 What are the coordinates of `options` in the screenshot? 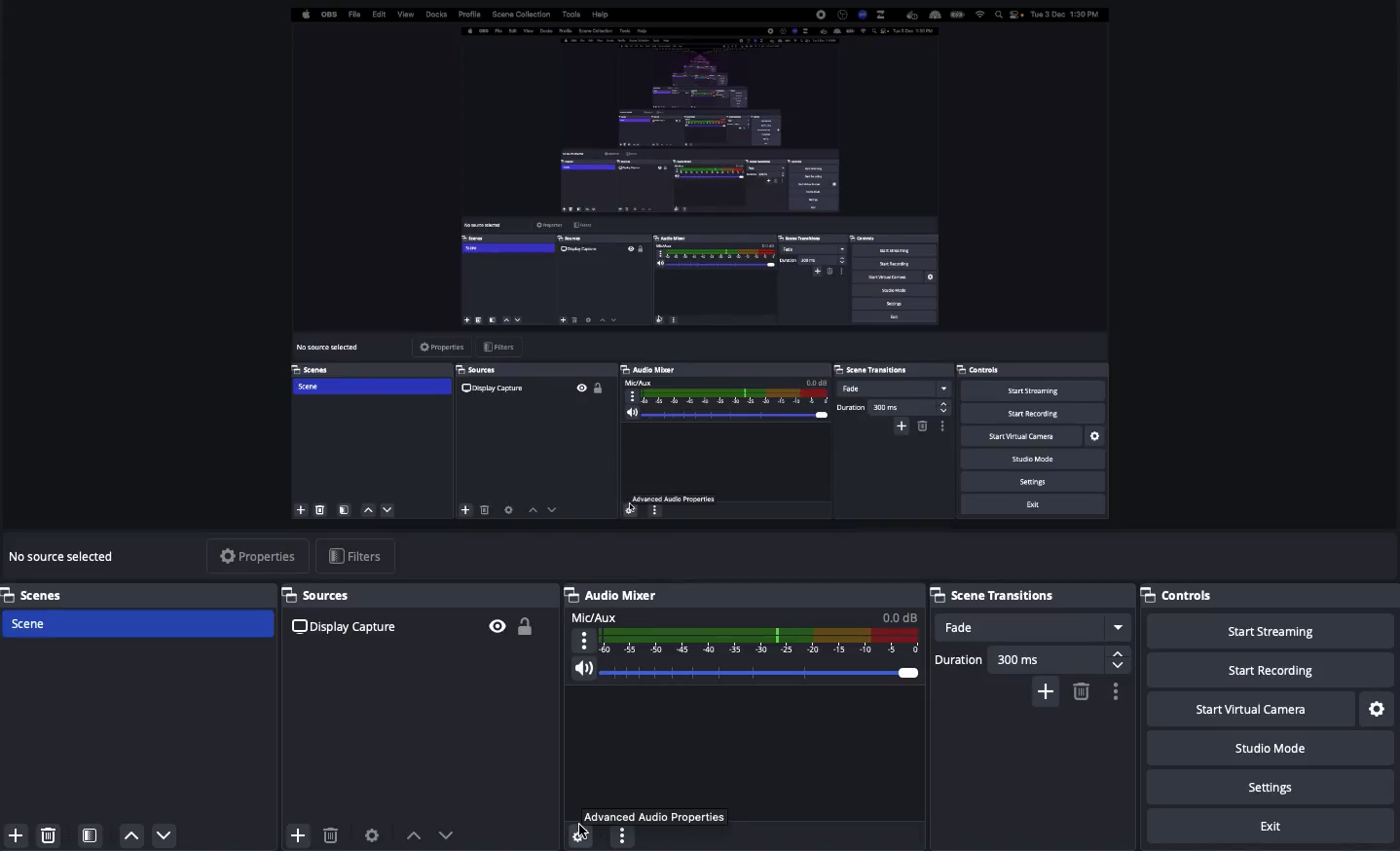 It's located at (628, 835).